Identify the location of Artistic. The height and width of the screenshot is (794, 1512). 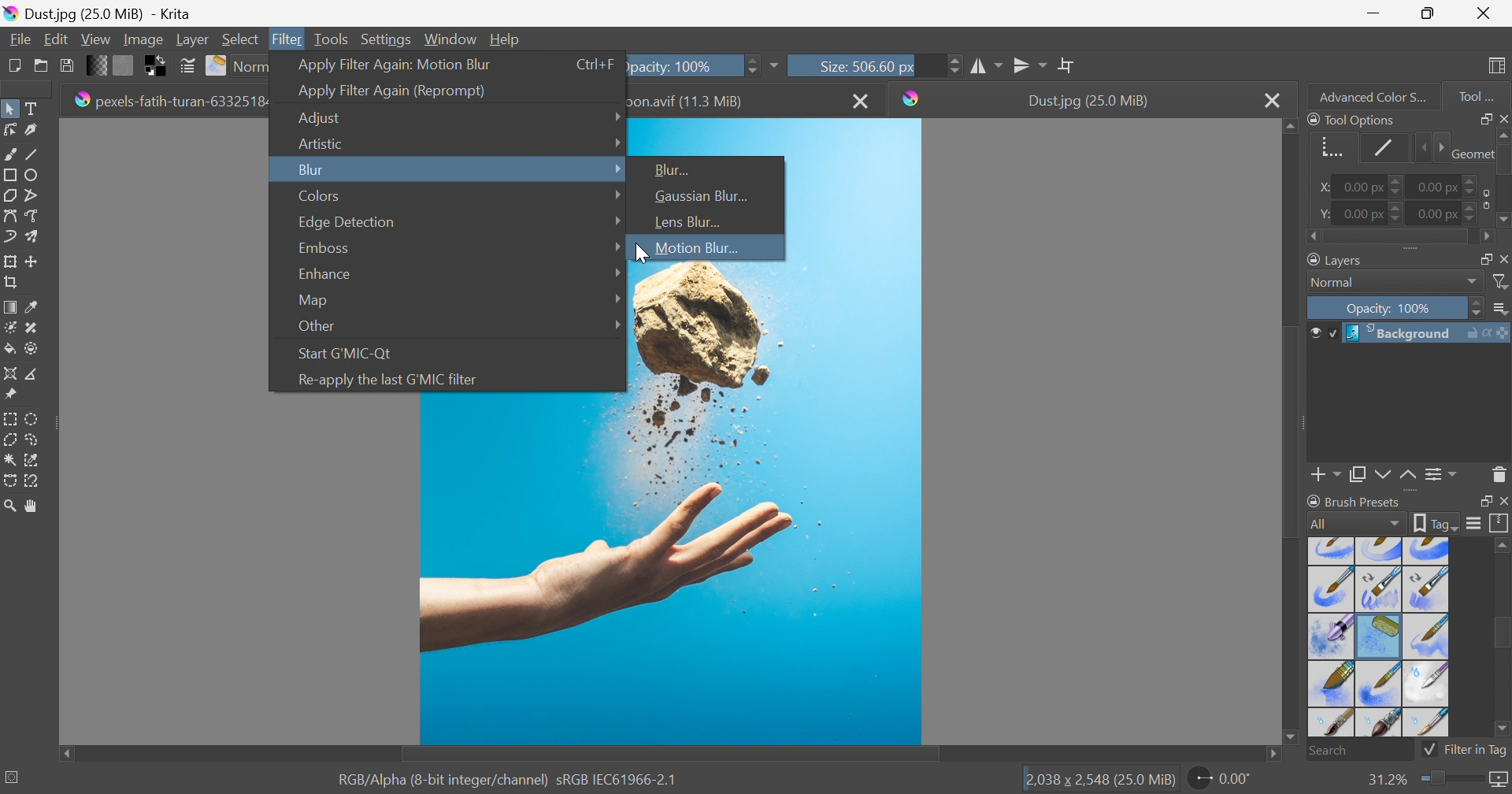
(319, 143).